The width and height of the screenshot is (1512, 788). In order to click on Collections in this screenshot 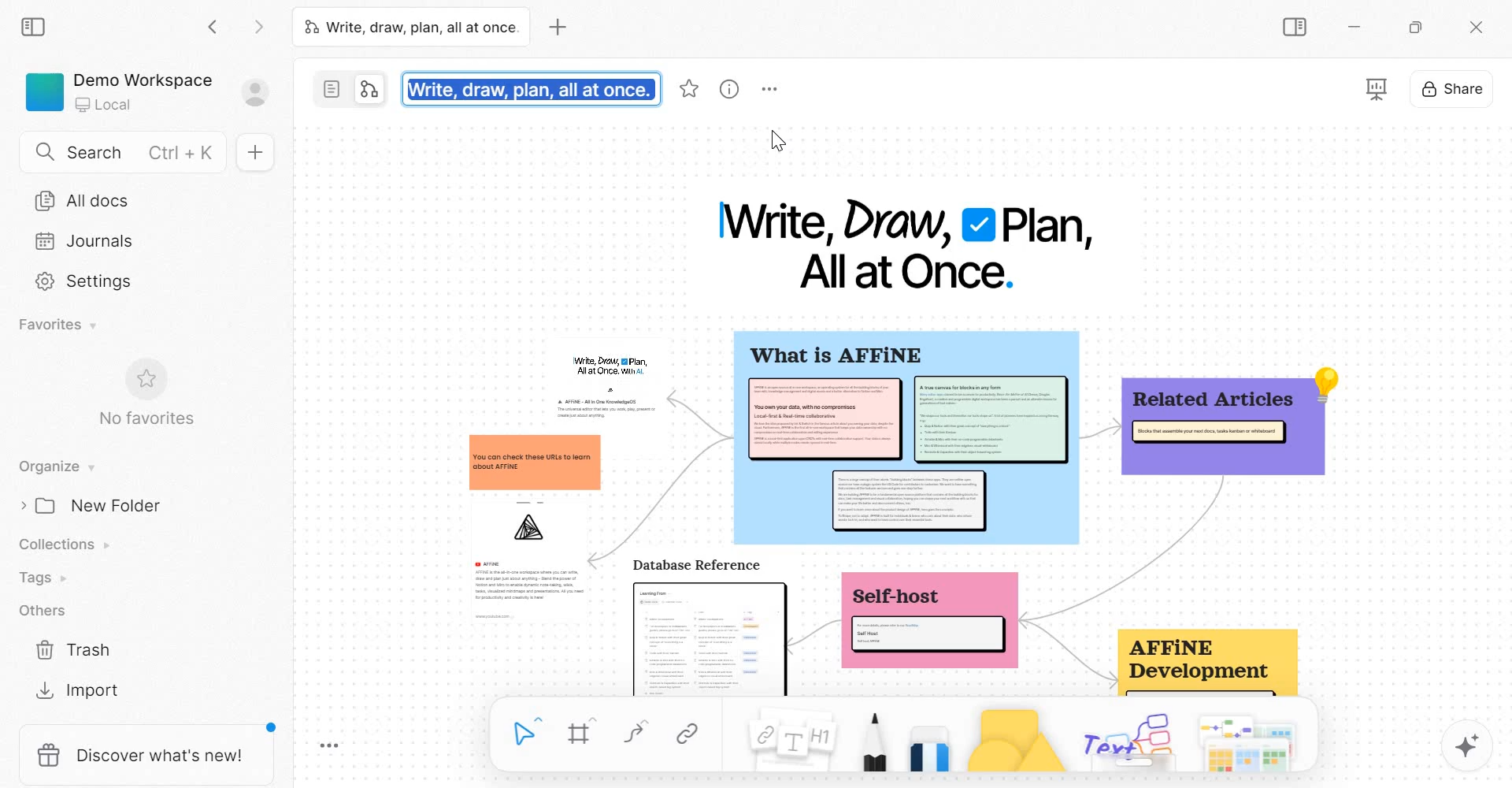, I will do `click(65, 543)`.